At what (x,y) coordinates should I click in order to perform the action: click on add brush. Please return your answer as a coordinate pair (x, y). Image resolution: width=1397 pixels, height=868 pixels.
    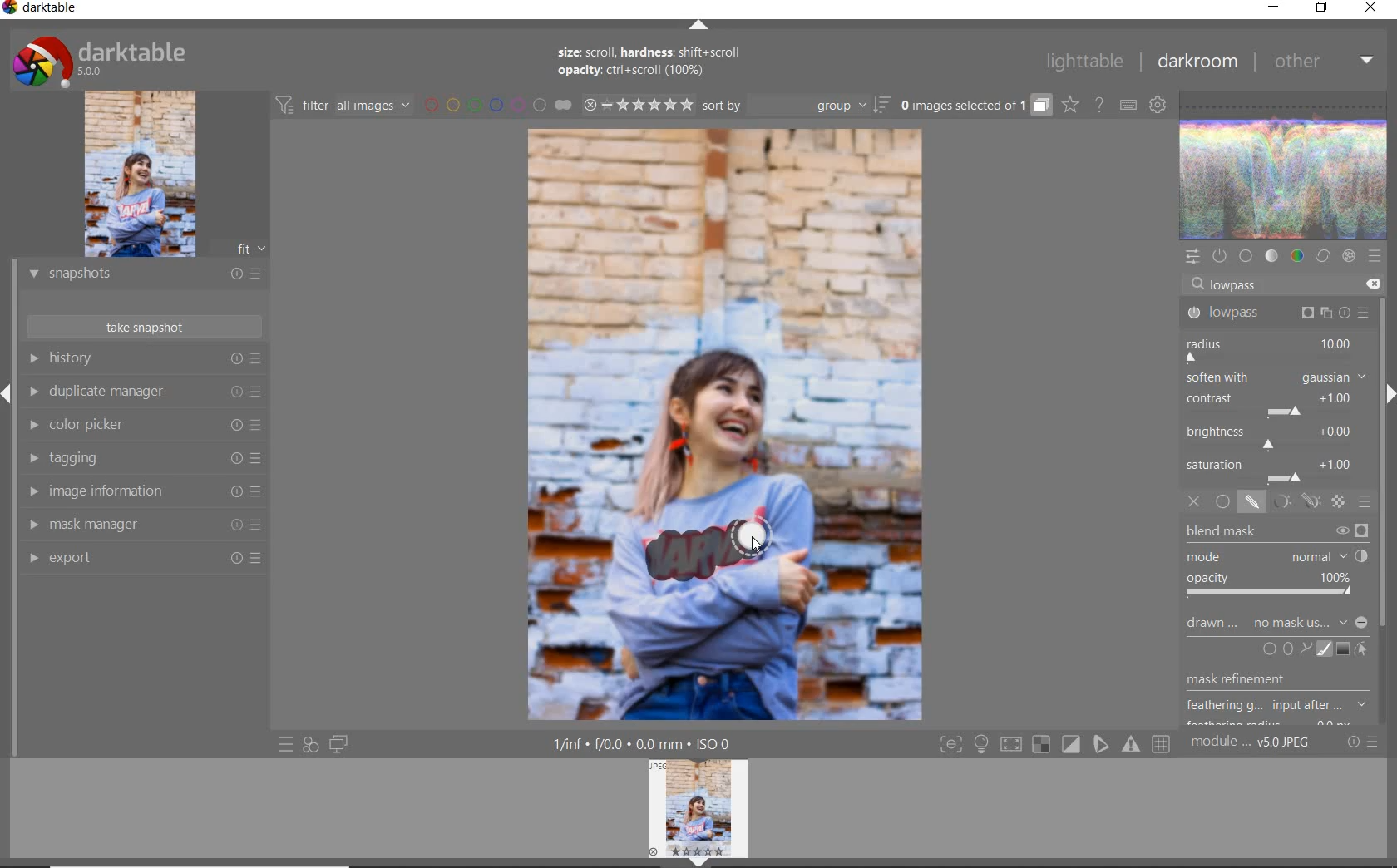
    Looking at the image, I should click on (1322, 649).